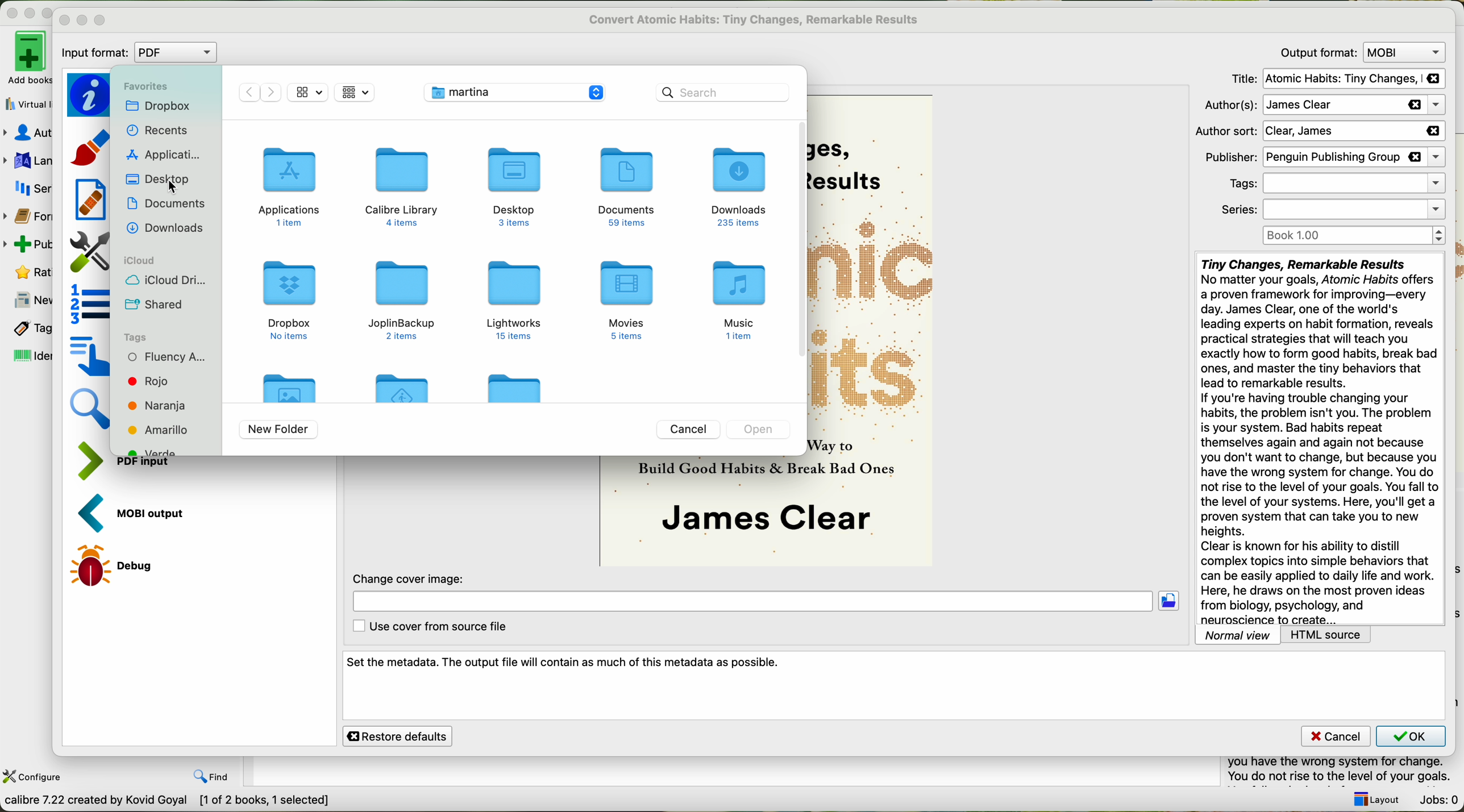 This screenshot has width=1464, height=812. What do you see at coordinates (1359, 52) in the screenshot?
I see `output format: MOVI` at bounding box center [1359, 52].